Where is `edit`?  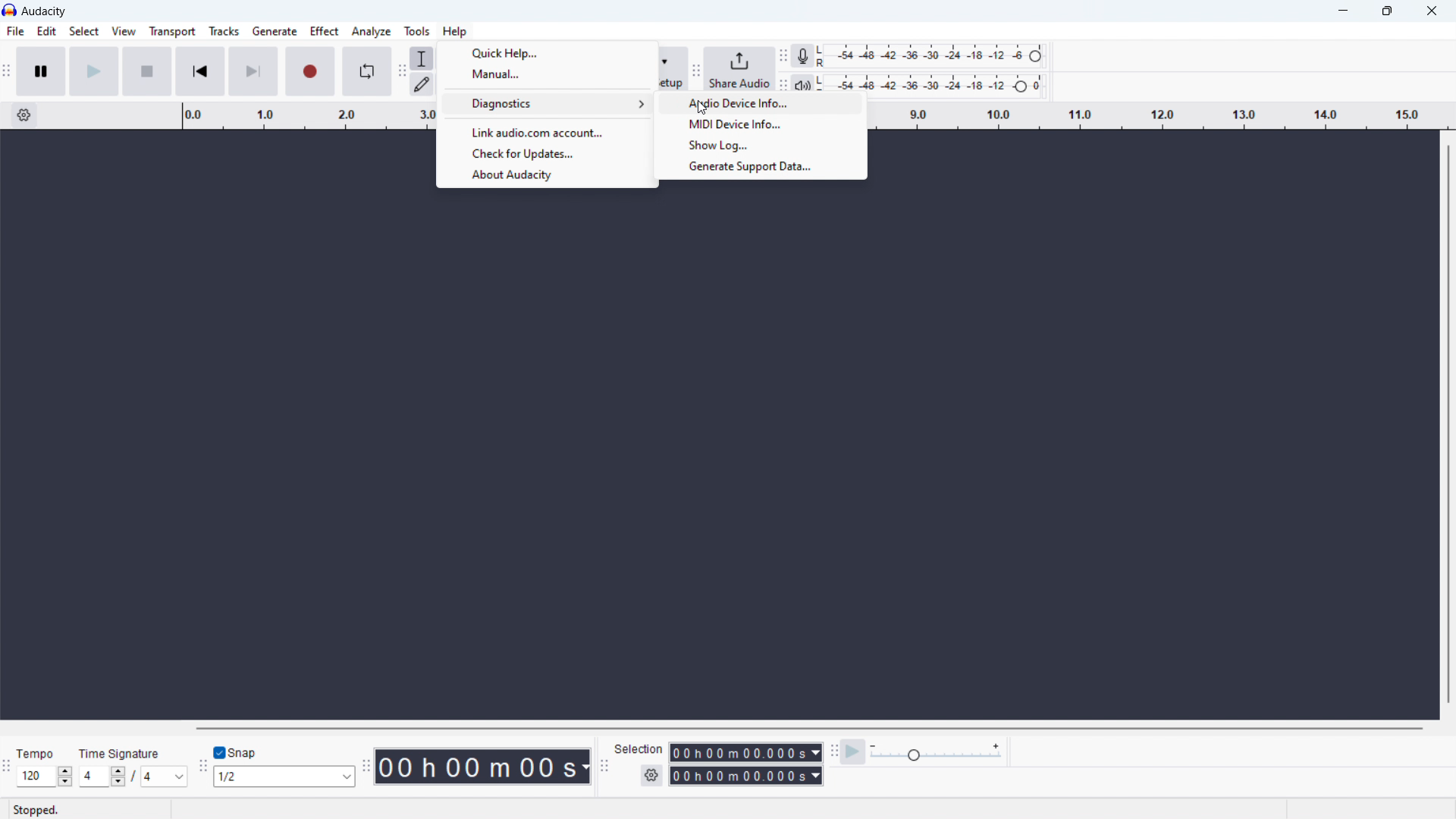 edit is located at coordinates (46, 31).